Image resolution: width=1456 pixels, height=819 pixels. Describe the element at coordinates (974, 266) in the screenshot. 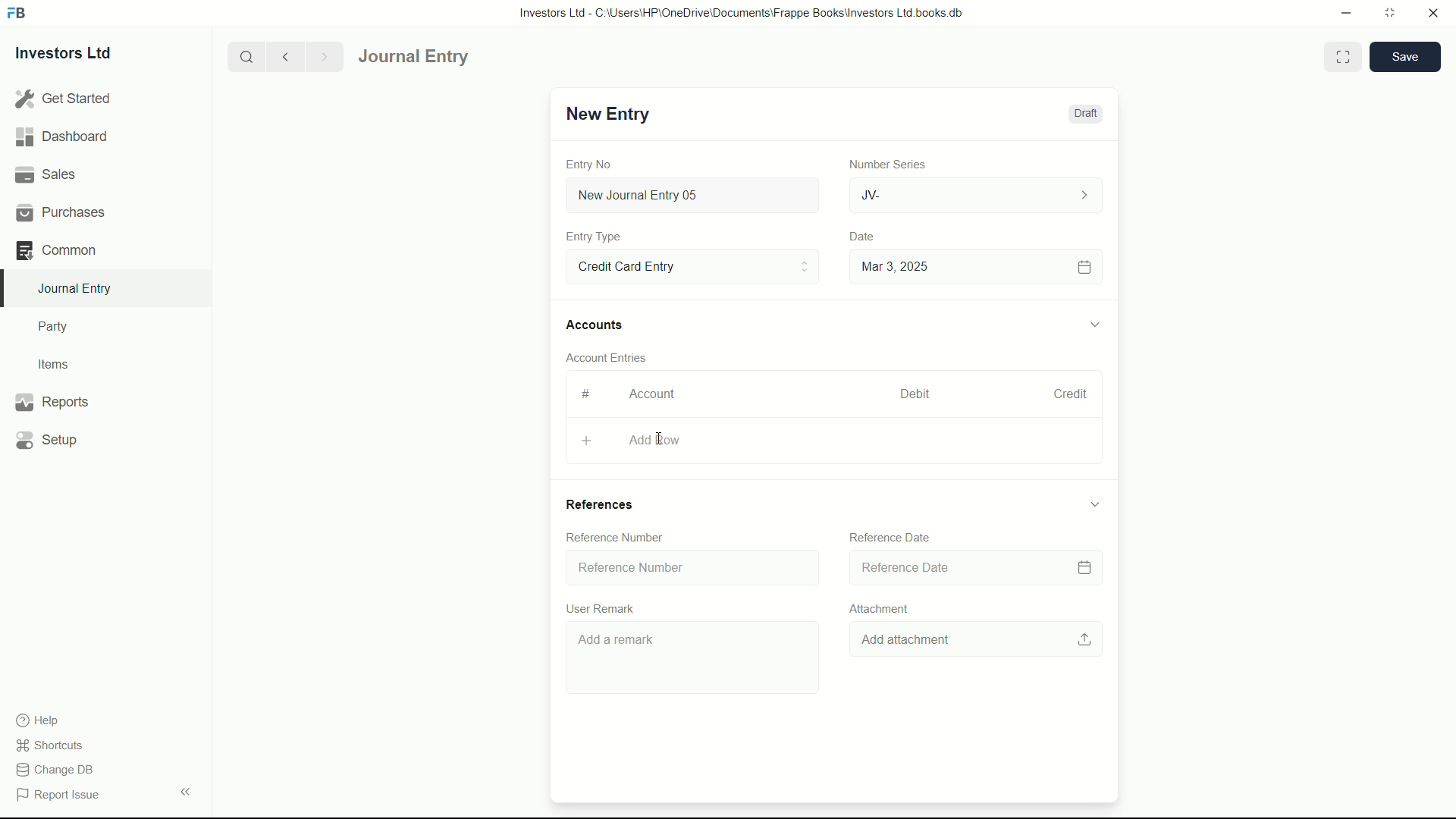

I see `Mar 3, 2025` at that location.